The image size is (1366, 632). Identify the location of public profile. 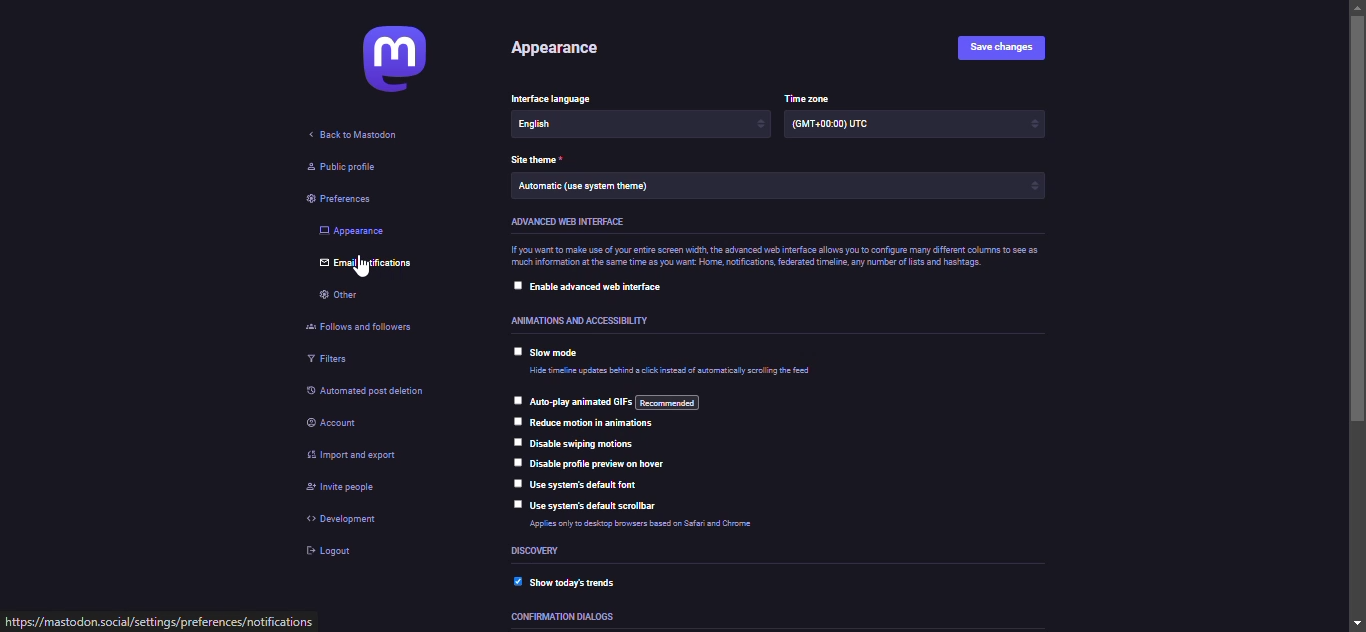
(346, 168).